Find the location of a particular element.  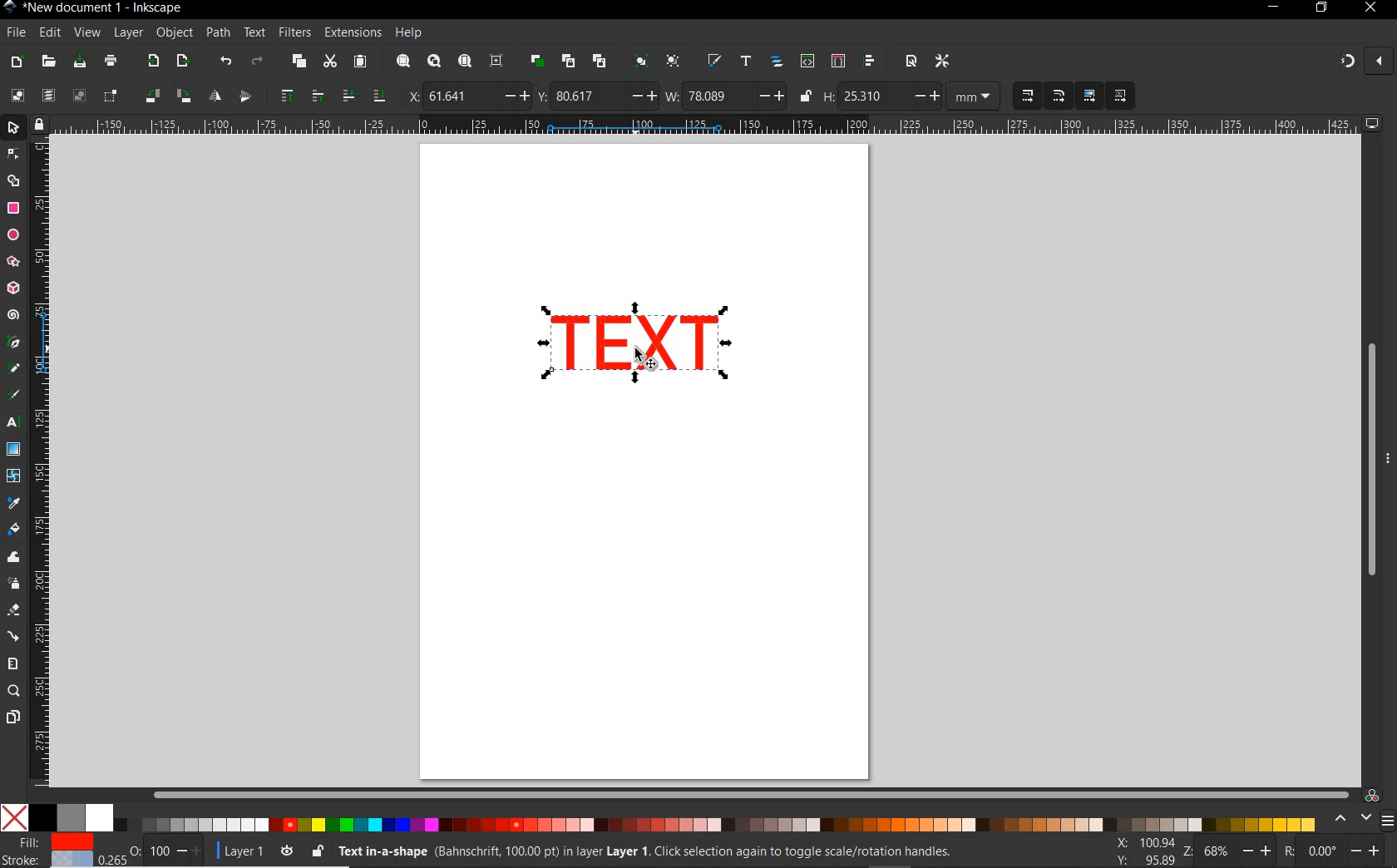

lock/unlock to change width or height is located at coordinates (805, 96).